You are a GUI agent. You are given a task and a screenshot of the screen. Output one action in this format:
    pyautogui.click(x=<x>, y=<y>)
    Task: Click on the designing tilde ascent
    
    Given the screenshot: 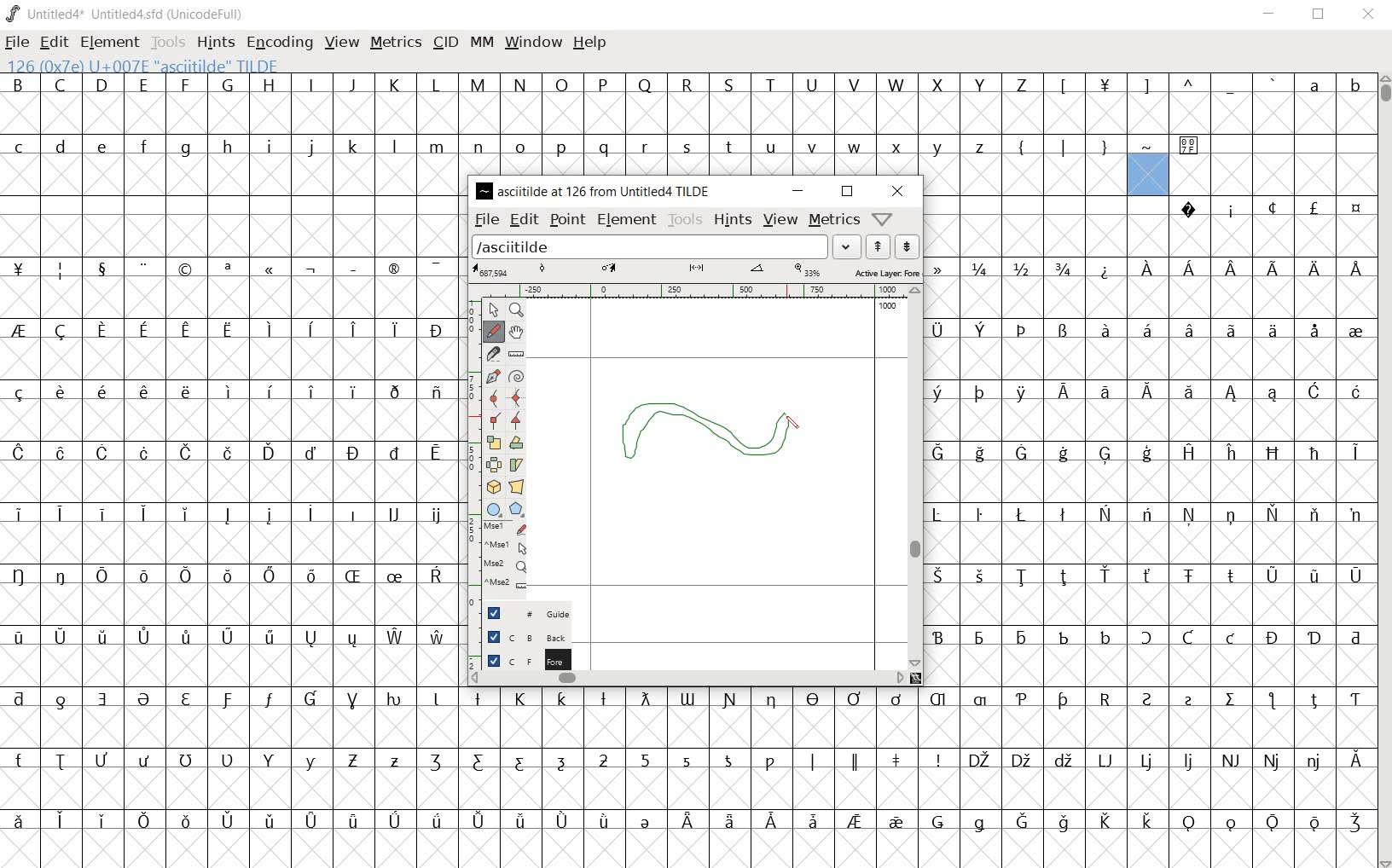 What is the action you would take?
    pyautogui.click(x=725, y=435)
    